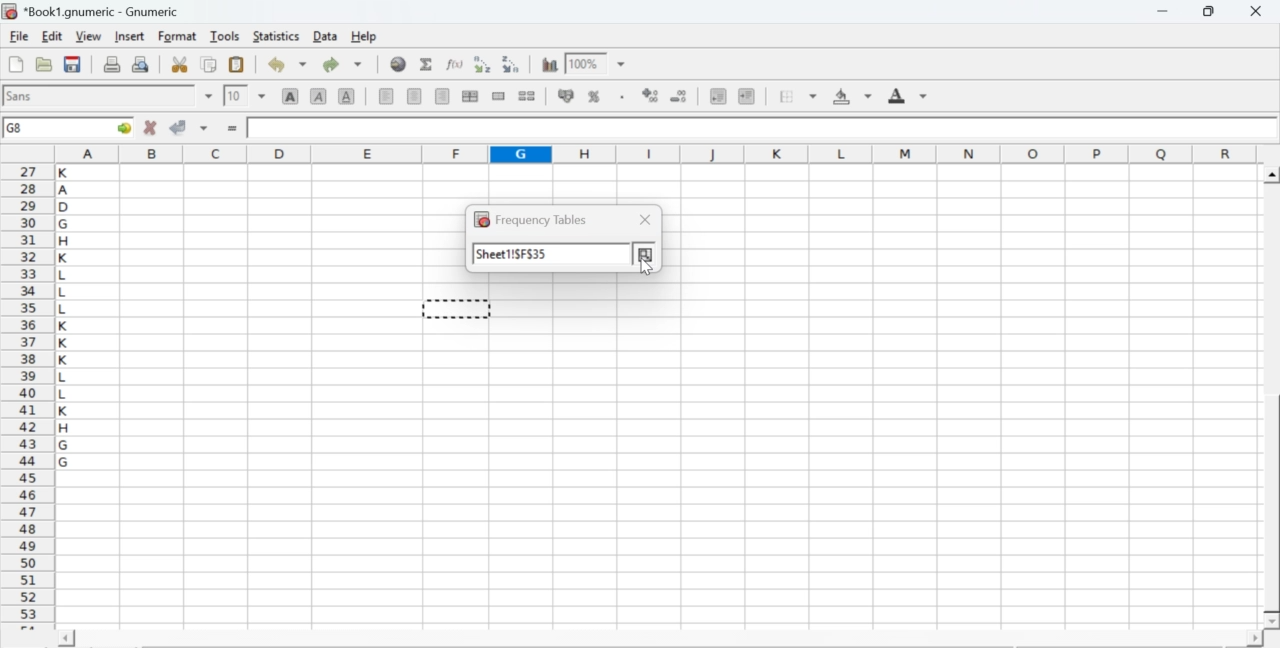 The image size is (1280, 648). What do you see at coordinates (42, 64) in the screenshot?
I see `open` at bounding box center [42, 64].